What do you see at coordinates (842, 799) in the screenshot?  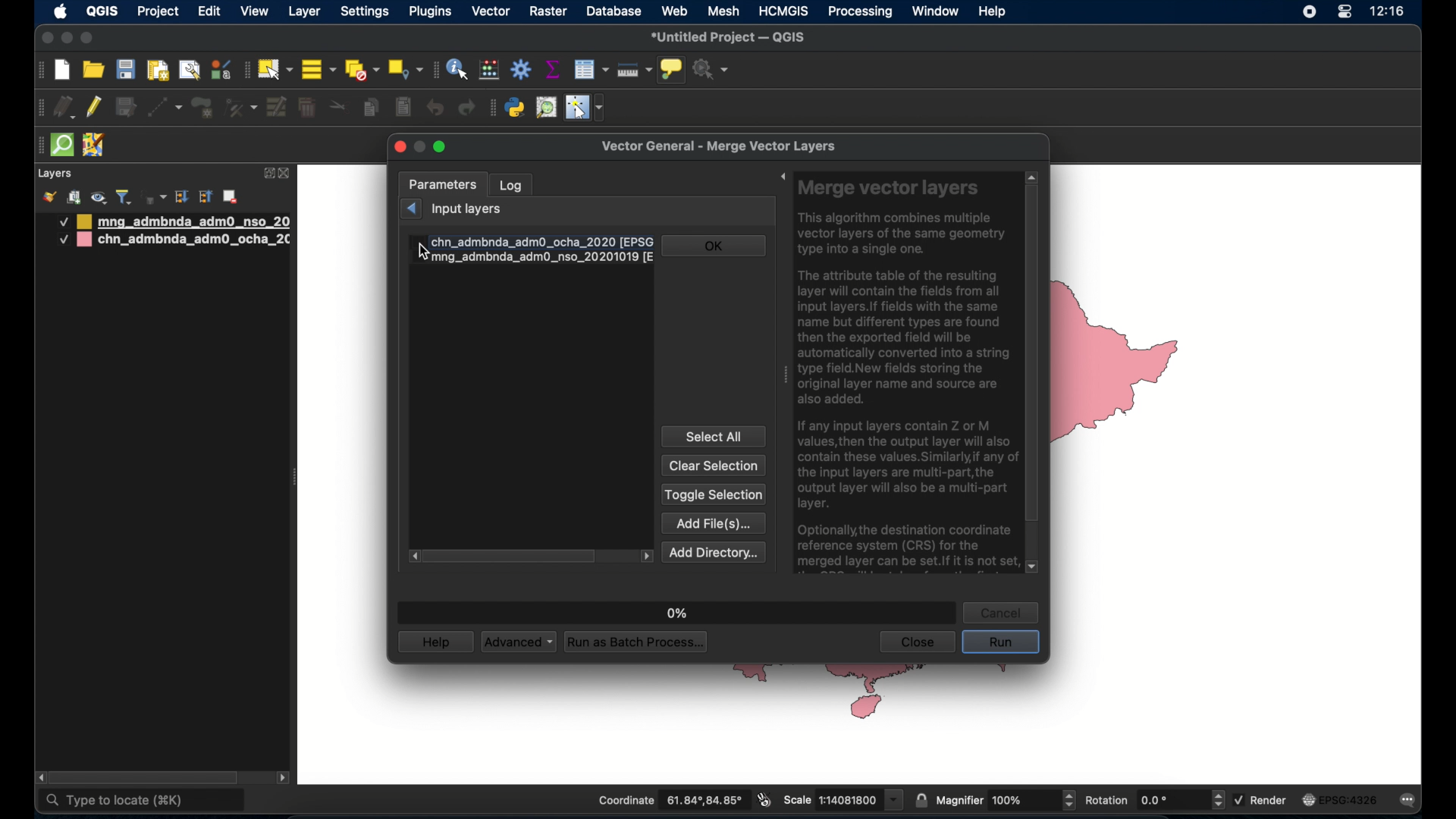 I see `scale` at bounding box center [842, 799].